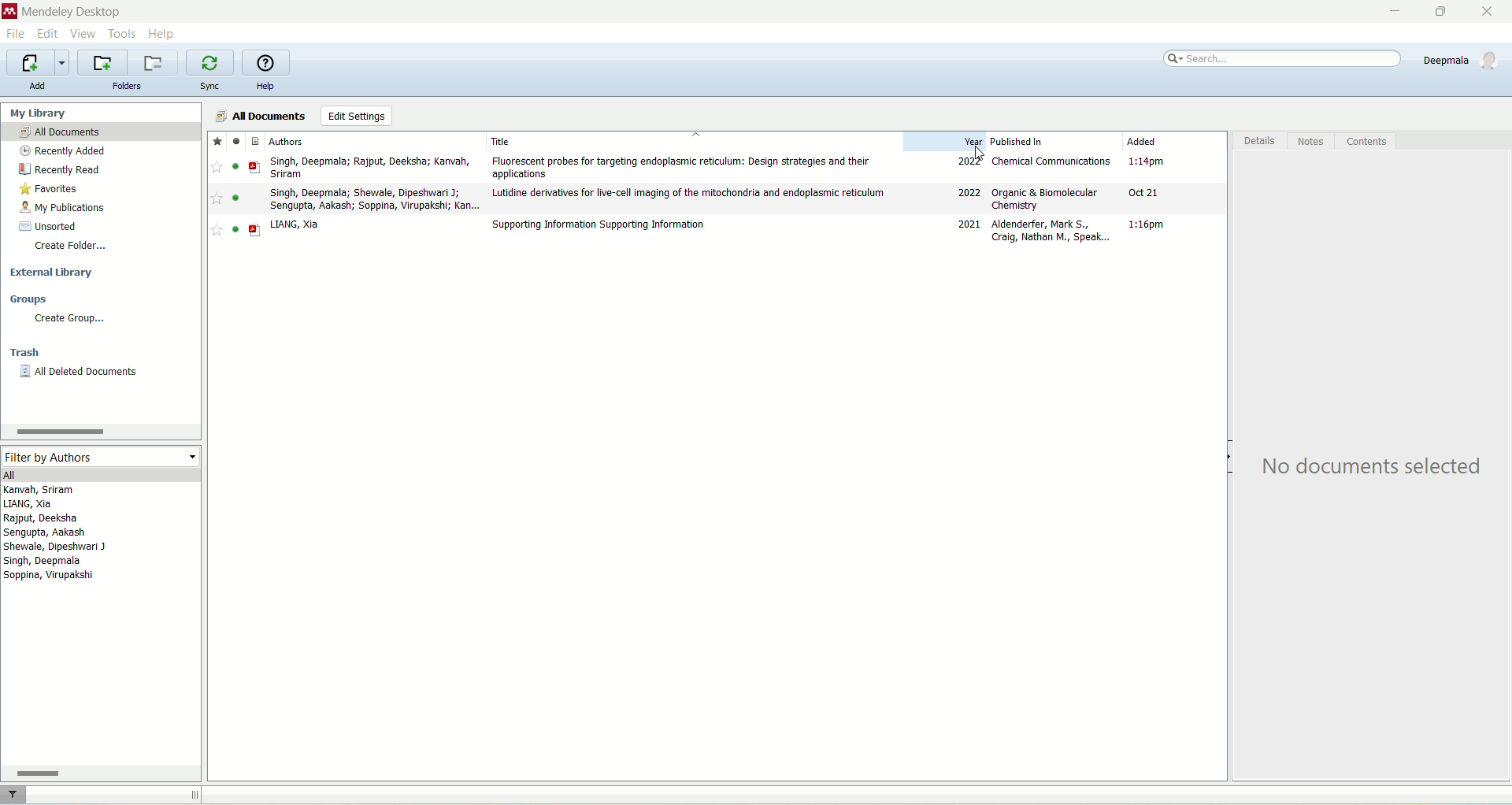  I want to click on authors, so click(375, 140).